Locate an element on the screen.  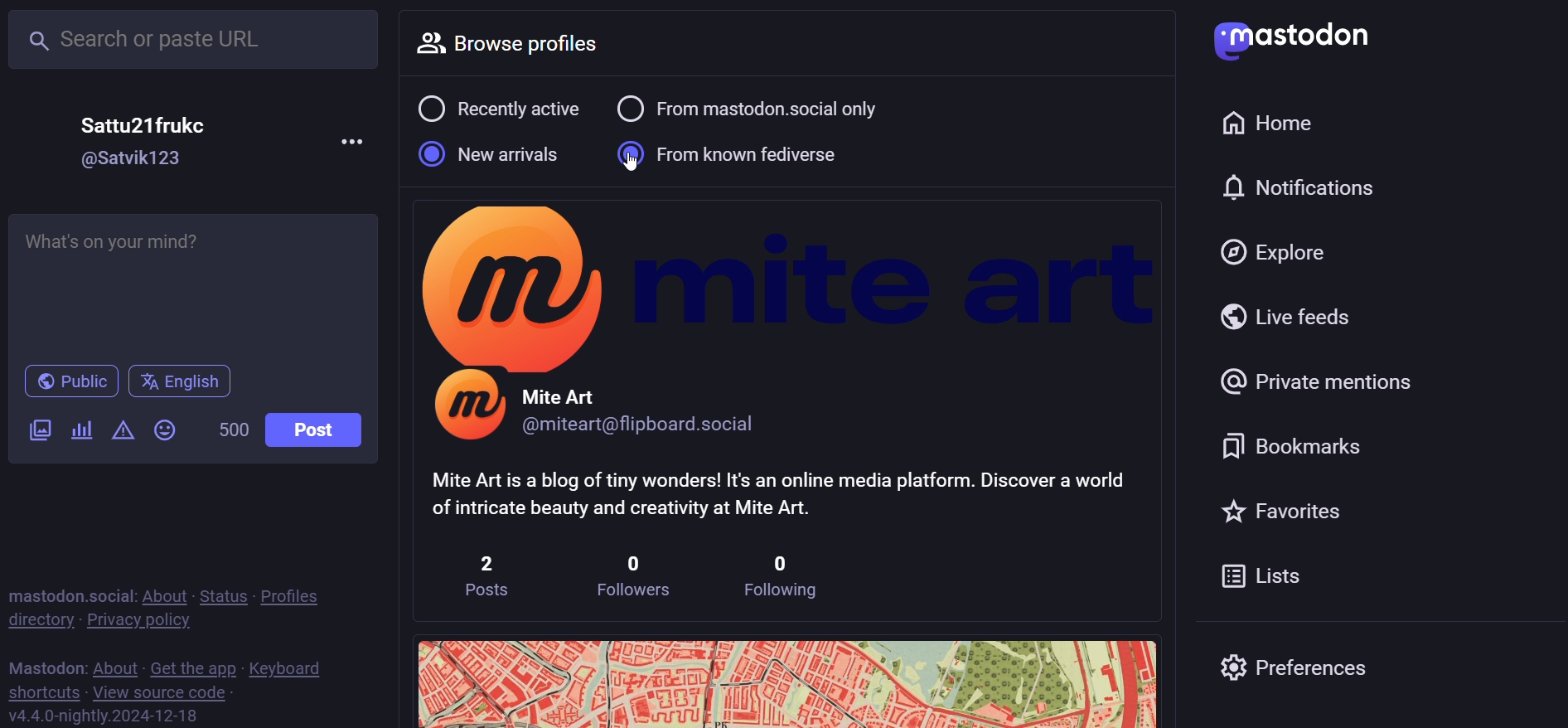
What's on your mind? is located at coordinates (197, 280).